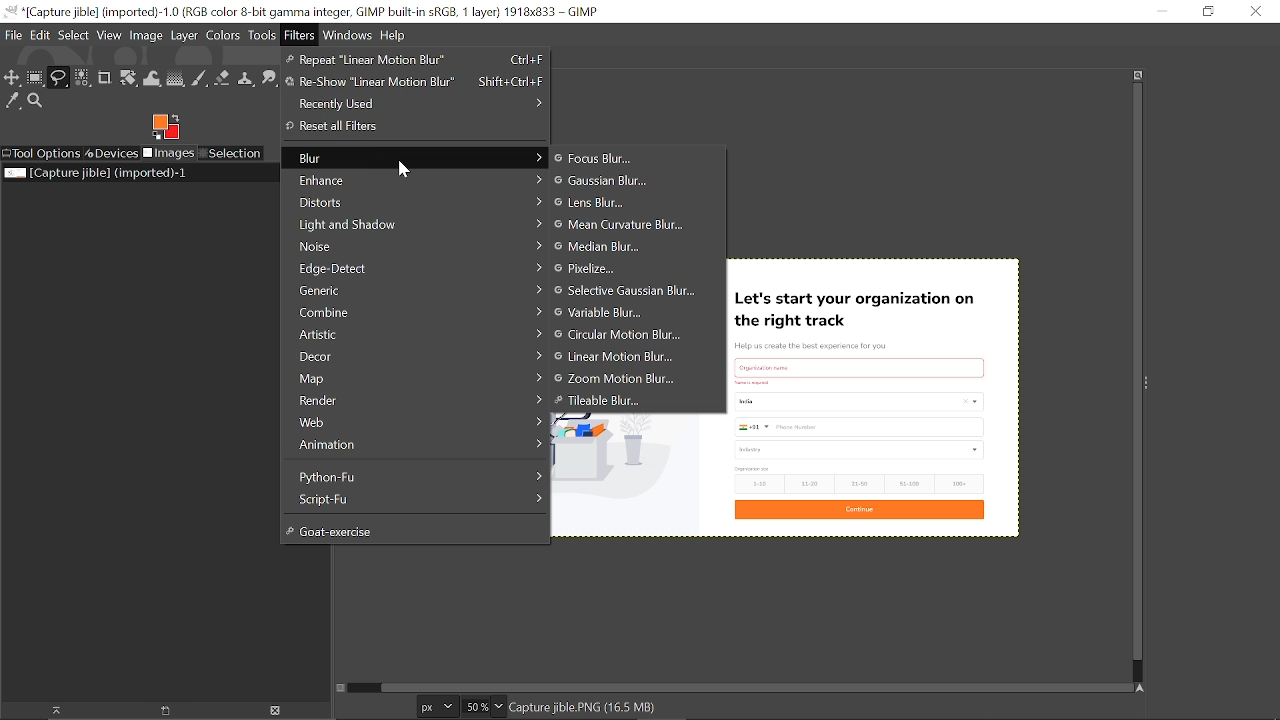 This screenshot has height=720, width=1280. I want to click on Current window, so click(304, 12).